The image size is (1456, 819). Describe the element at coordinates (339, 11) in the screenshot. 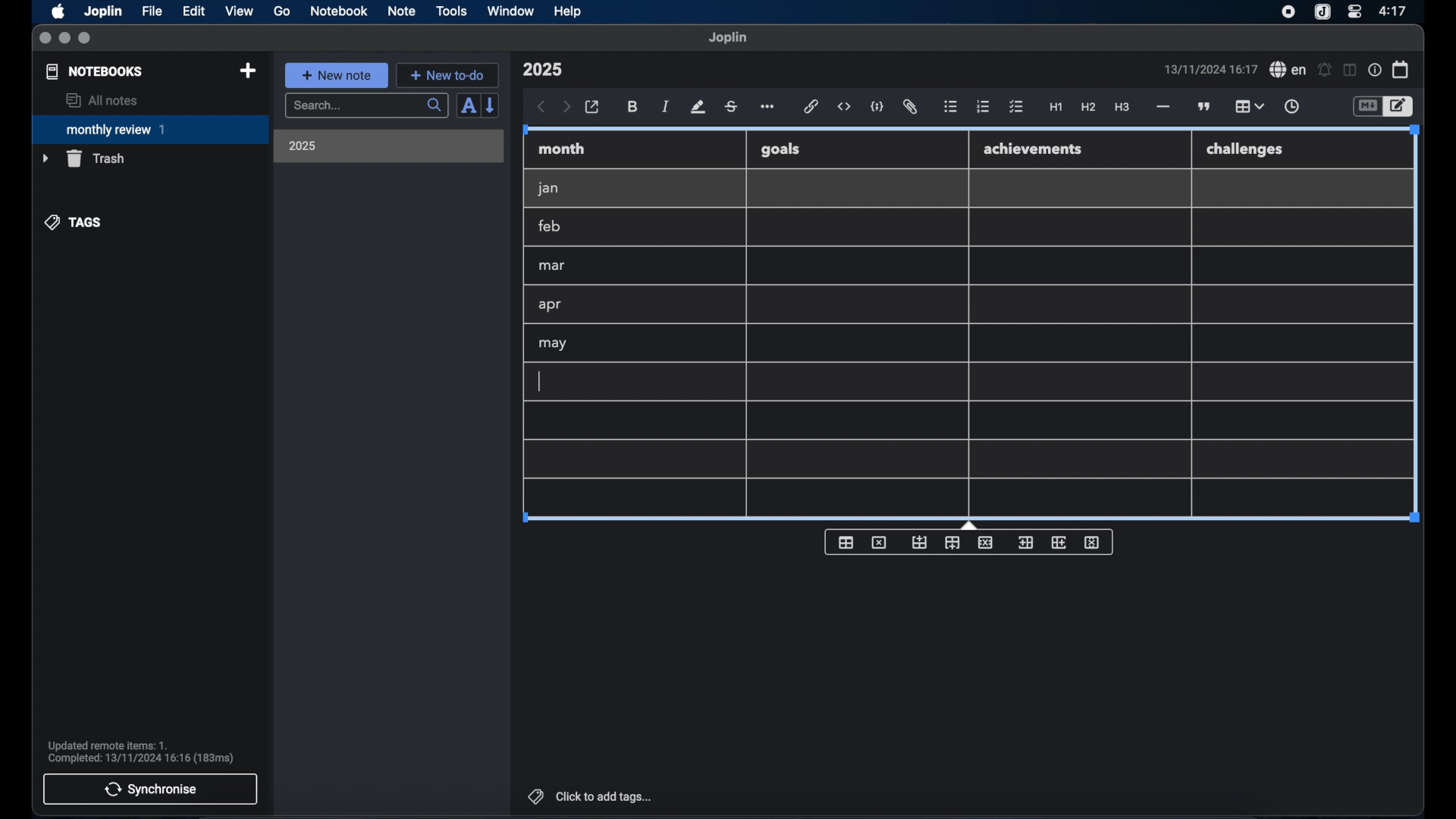

I see `notebook` at that location.